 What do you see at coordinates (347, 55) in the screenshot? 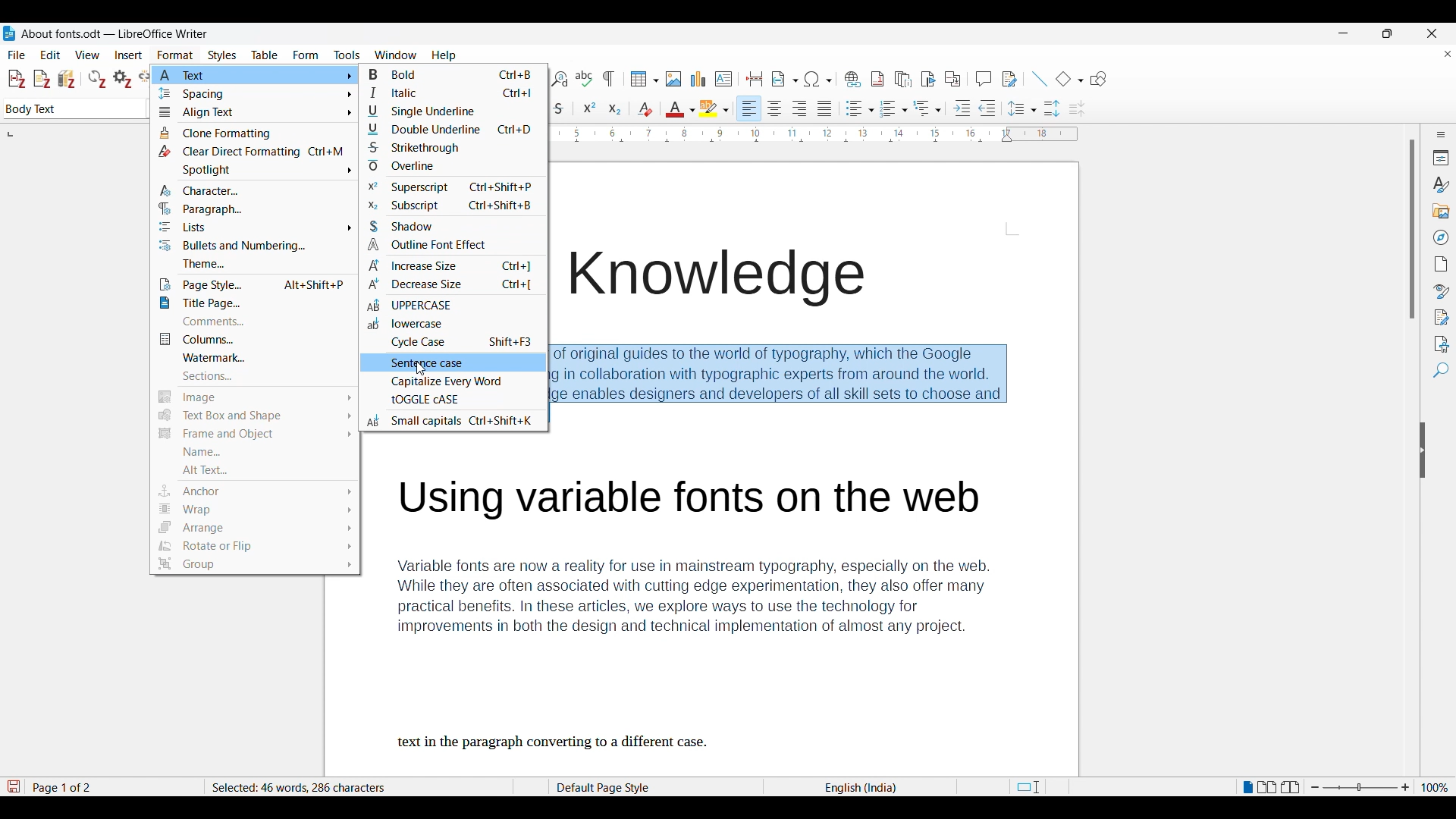
I see `Tools menu` at bounding box center [347, 55].